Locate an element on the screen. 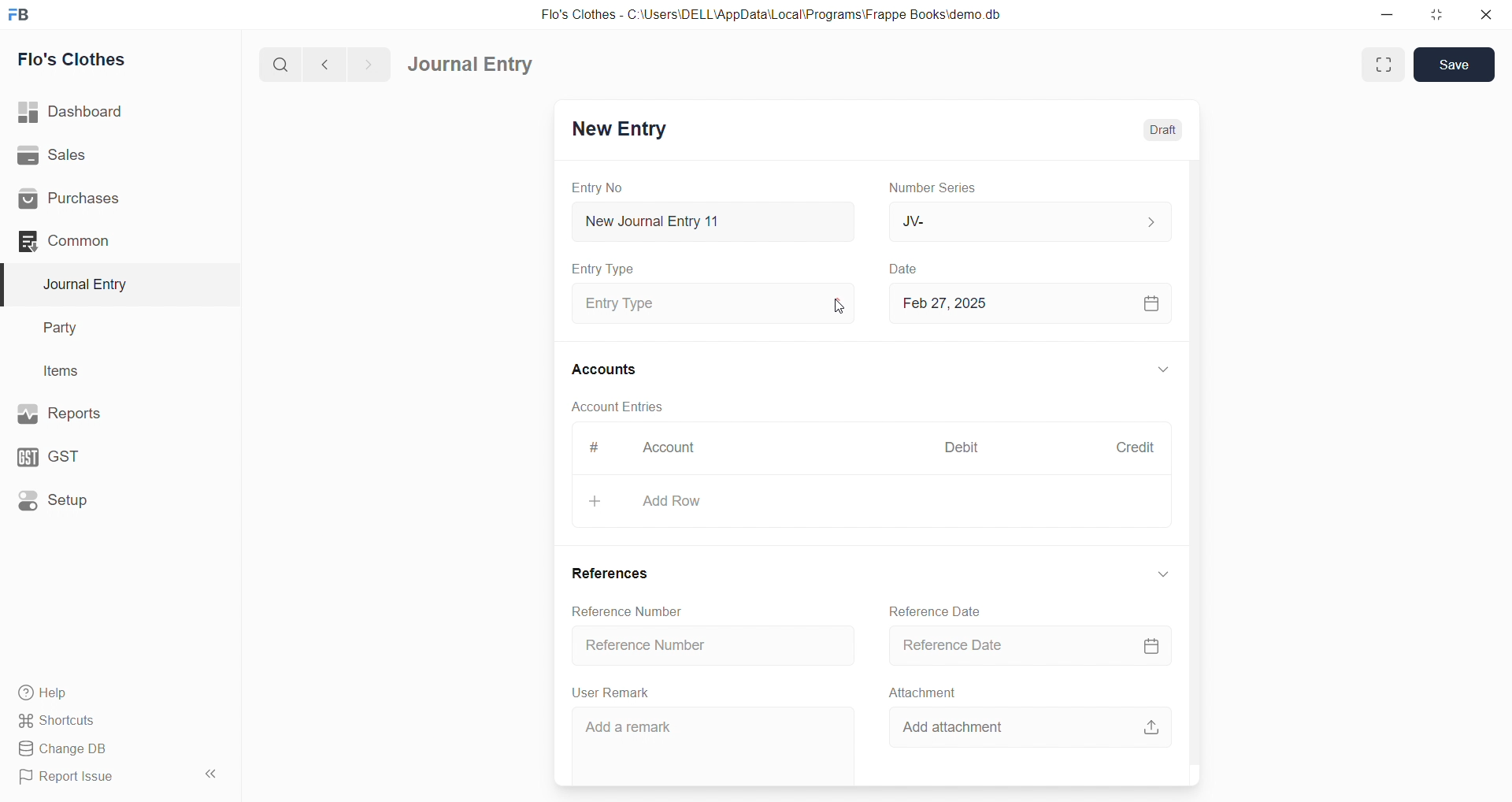 Image resolution: width=1512 pixels, height=802 pixels. Feb 27, 2025 is located at coordinates (1028, 303).